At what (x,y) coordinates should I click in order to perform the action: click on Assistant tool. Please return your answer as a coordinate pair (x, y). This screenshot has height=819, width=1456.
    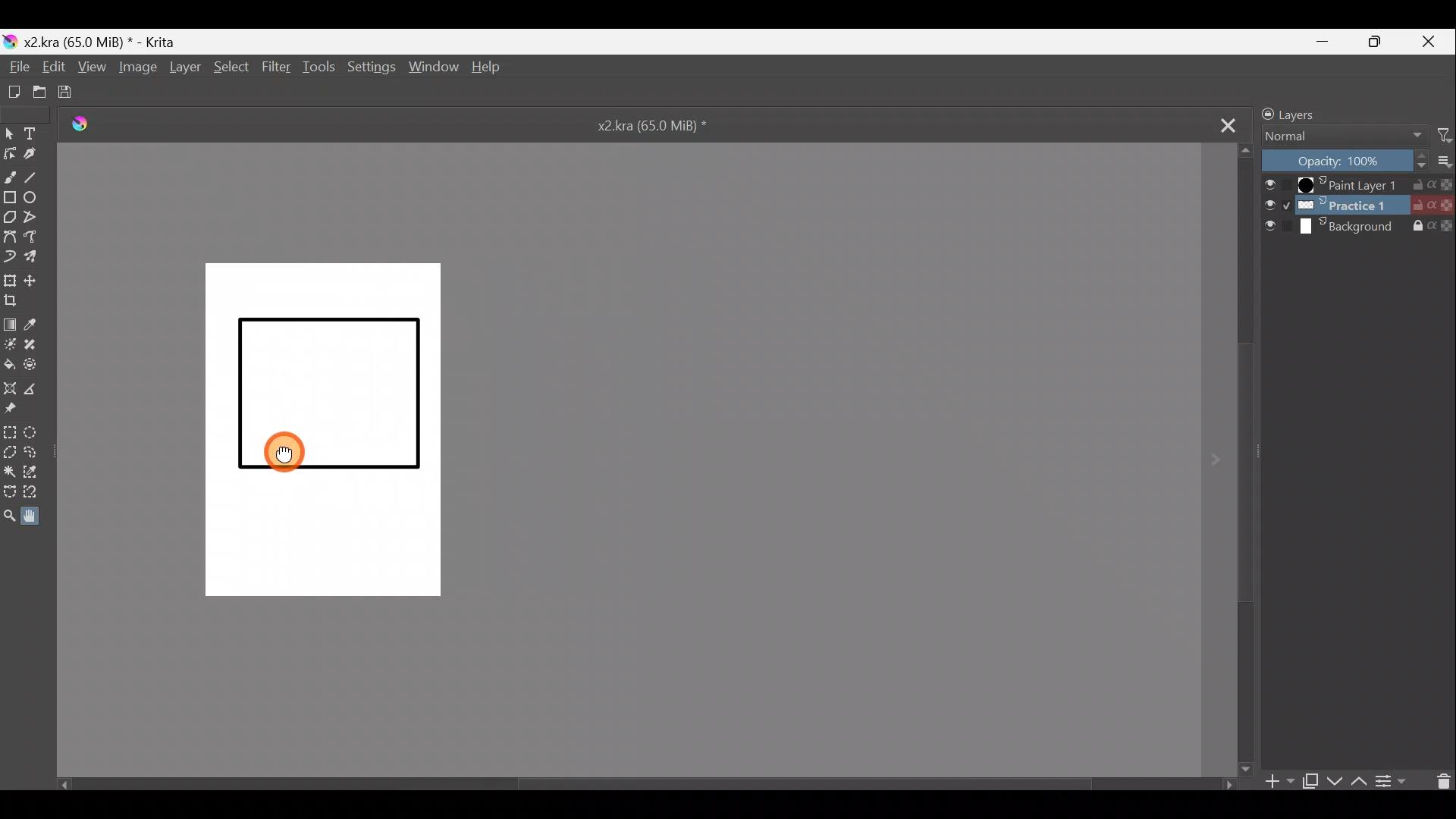
    Looking at the image, I should click on (10, 387).